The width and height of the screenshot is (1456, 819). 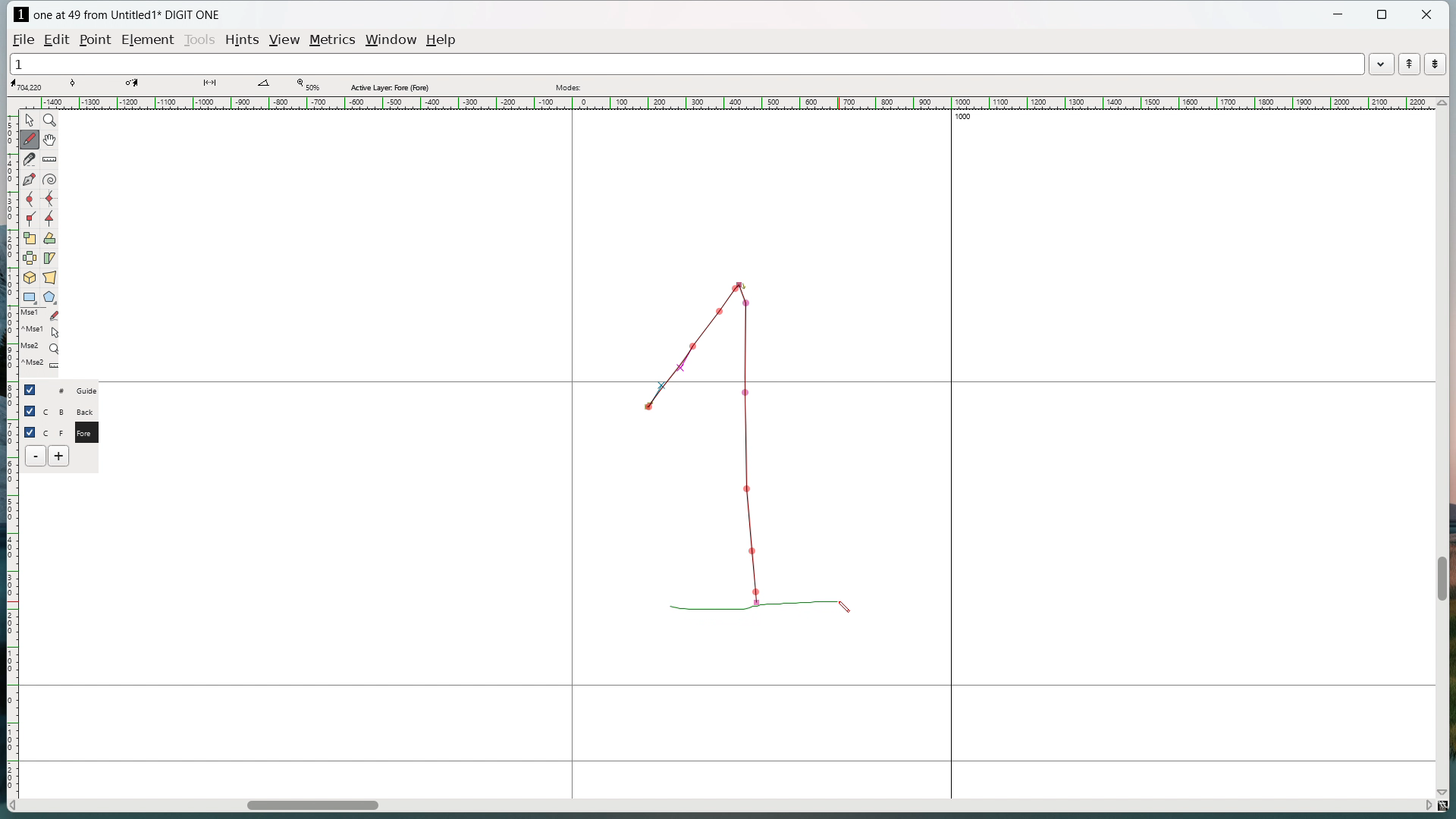 What do you see at coordinates (59, 39) in the screenshot?
I see `edit` at bounding box center [59, 39].